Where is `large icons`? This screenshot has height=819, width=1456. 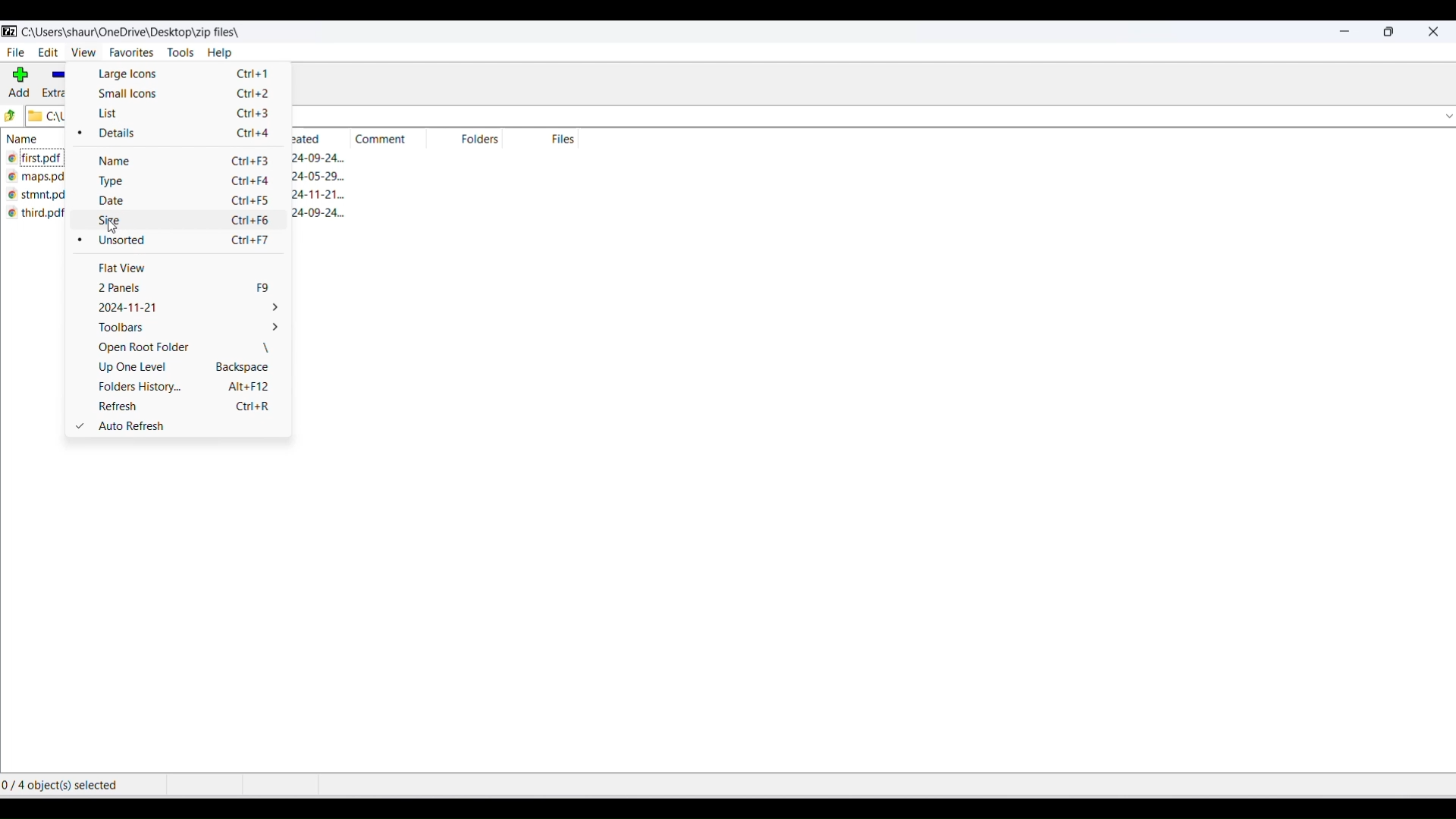
large icons is located at coordinates (181, 76).